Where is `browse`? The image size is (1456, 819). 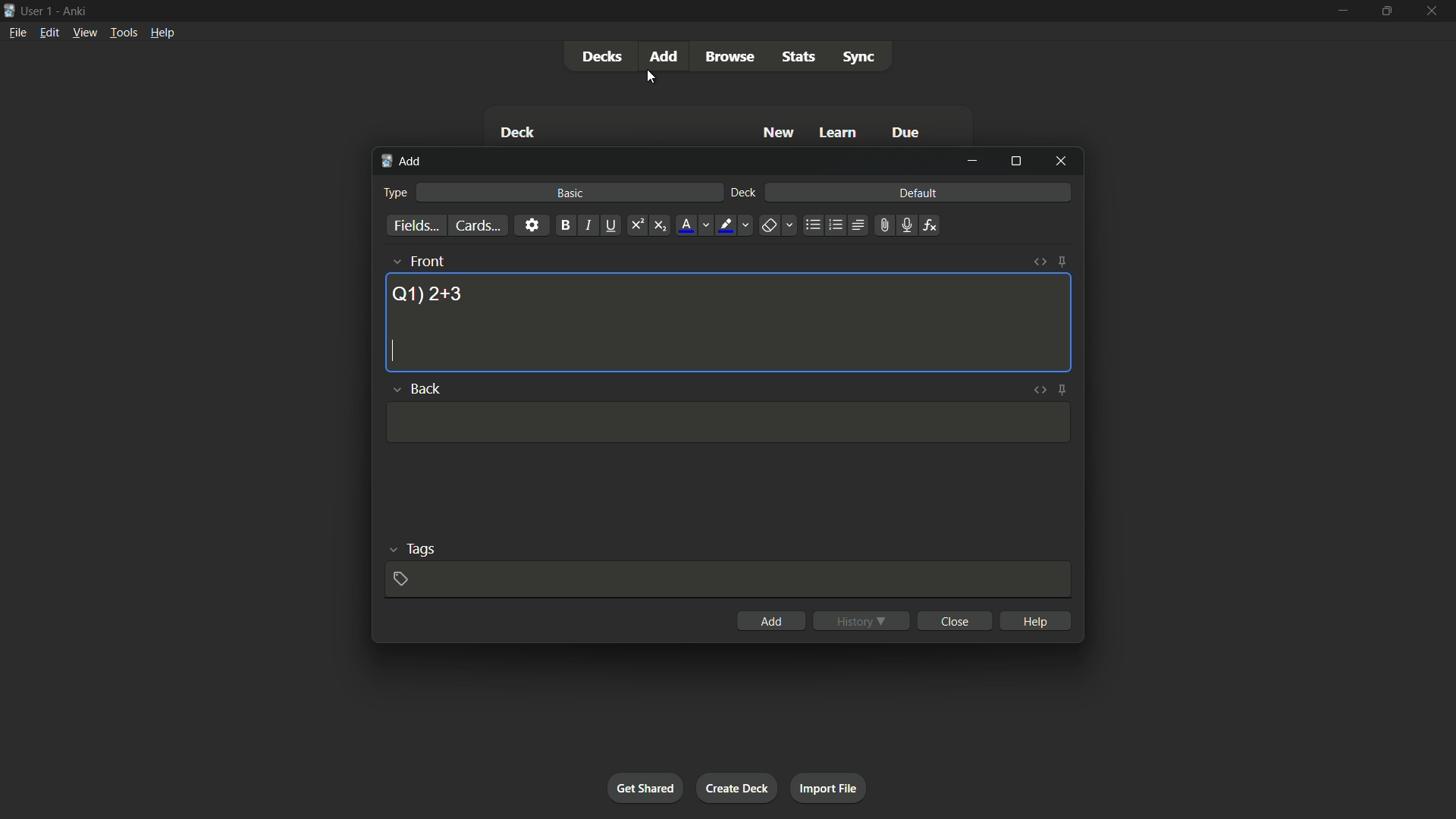 browse is located at coordinates (730, 57).